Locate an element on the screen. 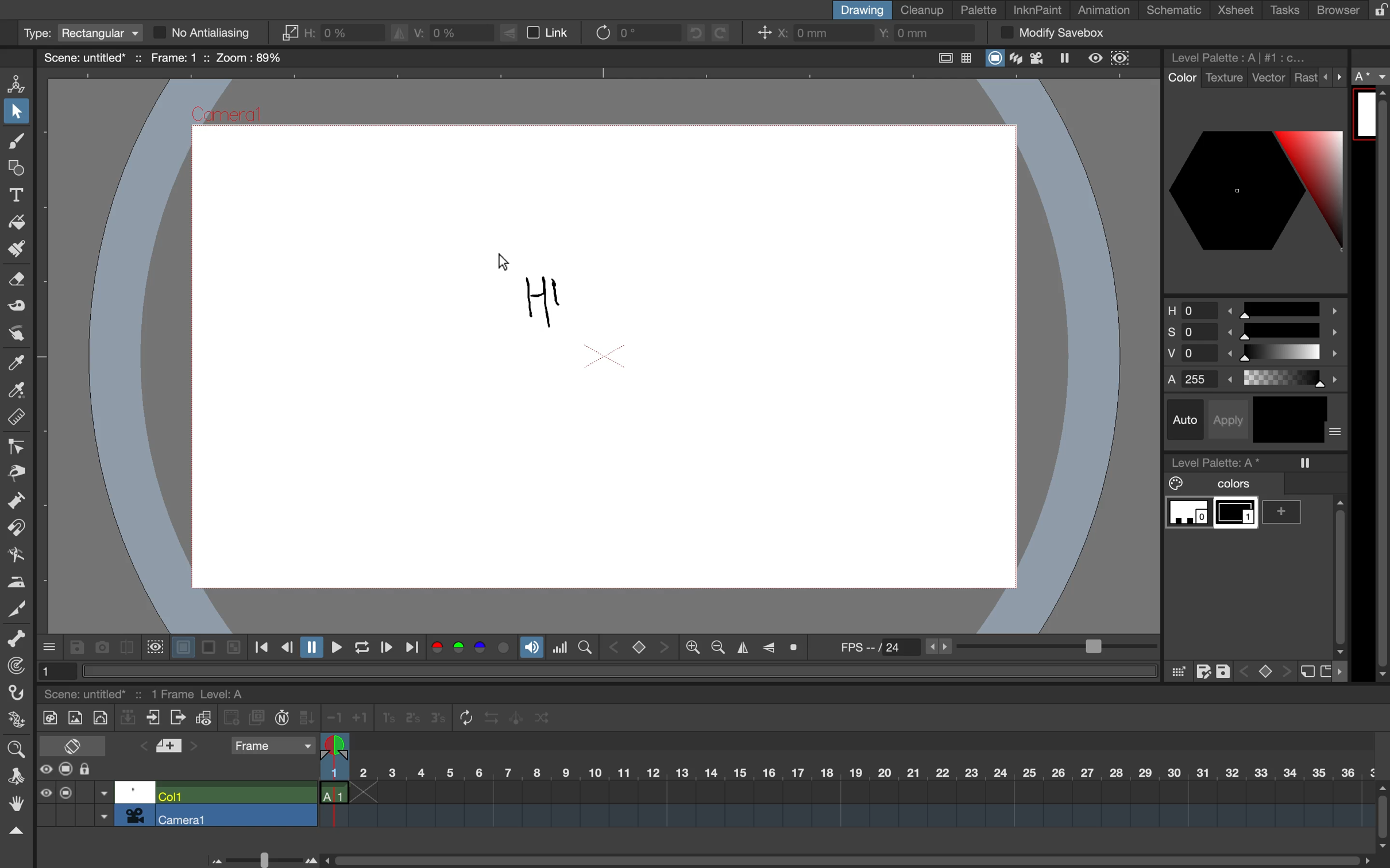 The image size is (1390, 868). camera 1 is located at coordinates (237, 816).